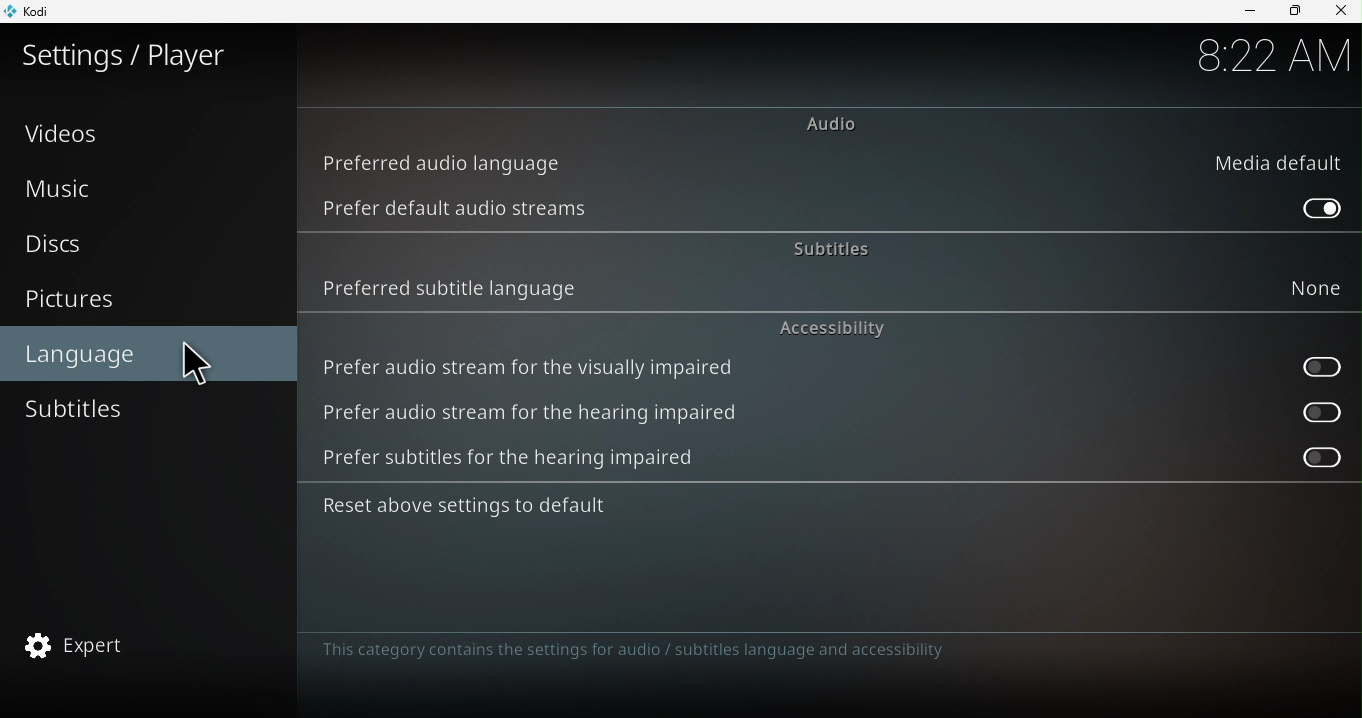 This screenshot has height=718, width=1362. Describe the element at coordinates (1313, 411) in the screenshot. I see `Prefer audio stream for the hearing impaired` at that location.